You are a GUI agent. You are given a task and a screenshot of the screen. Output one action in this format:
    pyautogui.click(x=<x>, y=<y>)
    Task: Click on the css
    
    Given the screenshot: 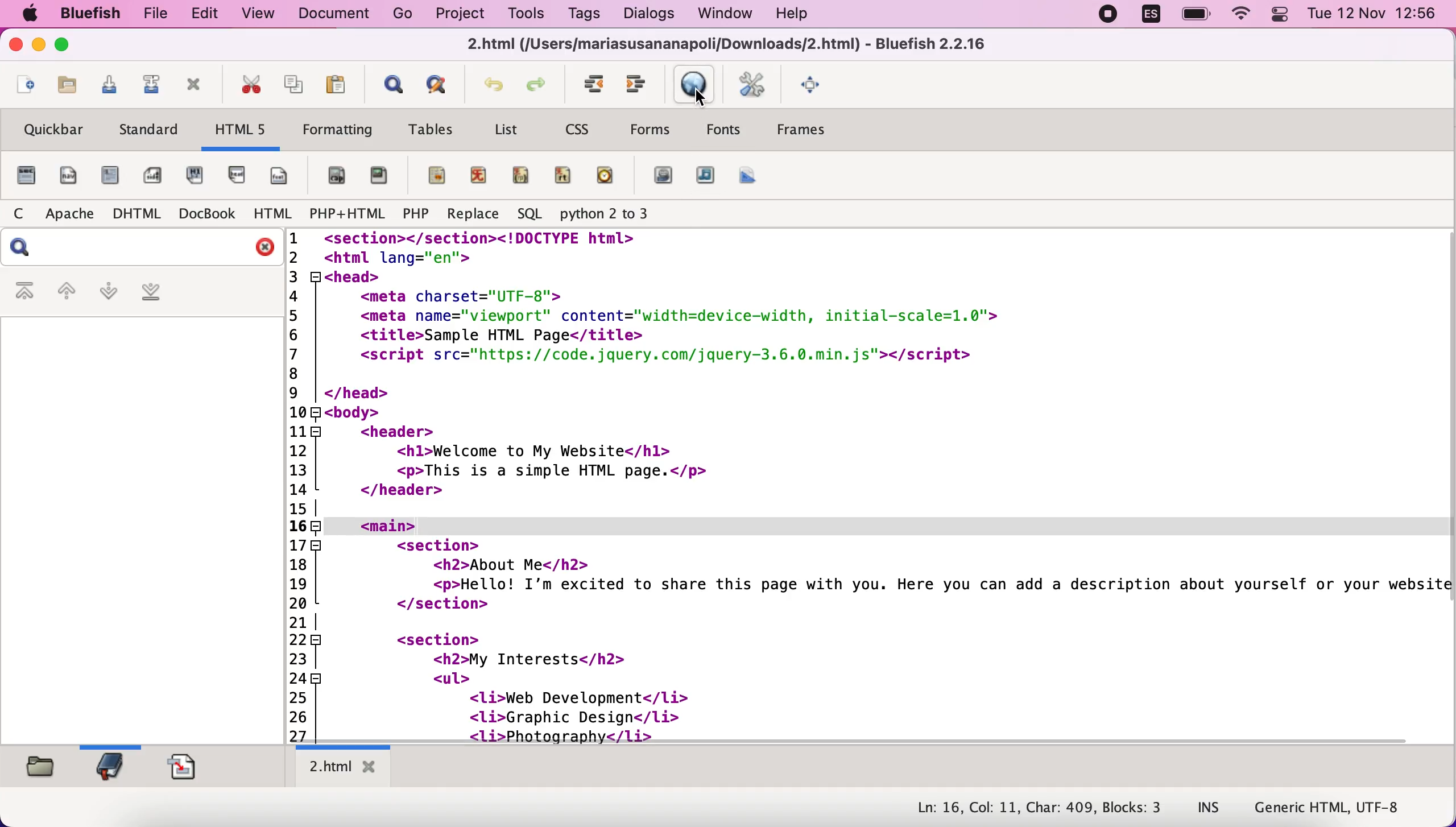 What is the action you would take?
    pyautogui.click(x=586, y=129)
    